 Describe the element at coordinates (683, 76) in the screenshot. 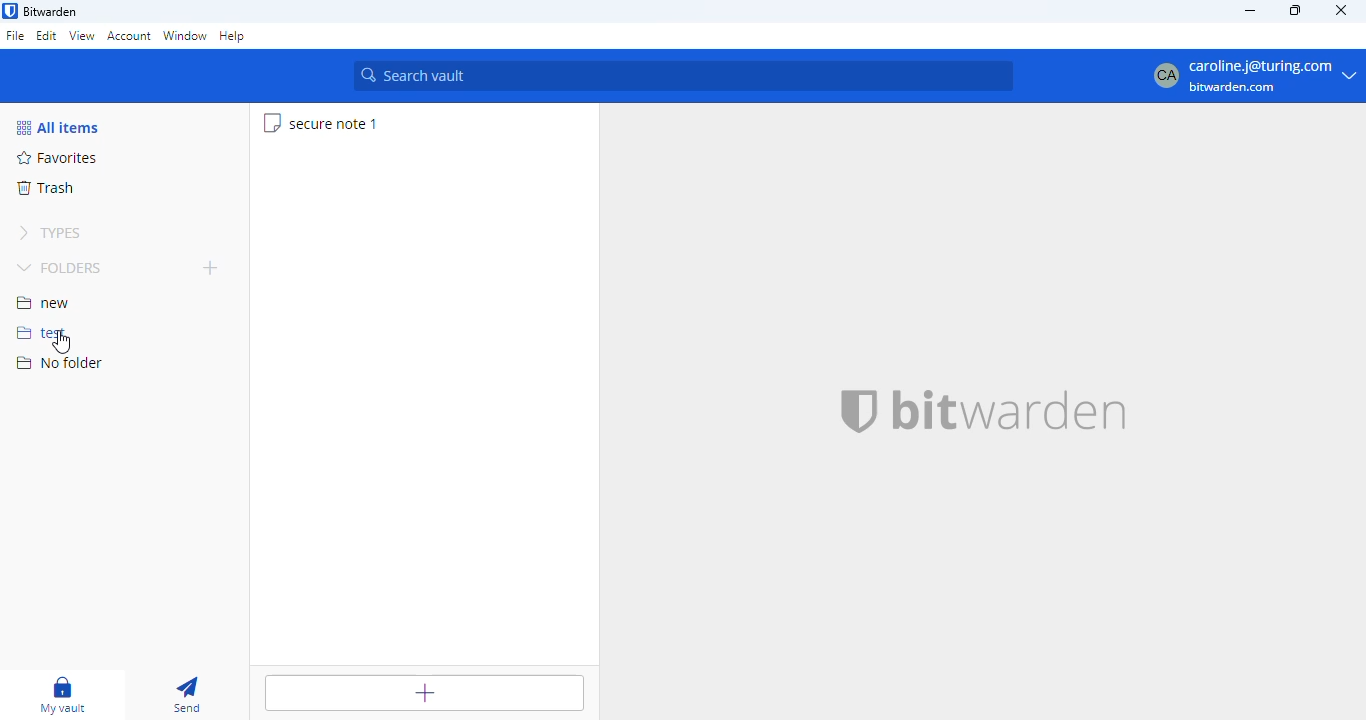

I see `search vault` at that location.